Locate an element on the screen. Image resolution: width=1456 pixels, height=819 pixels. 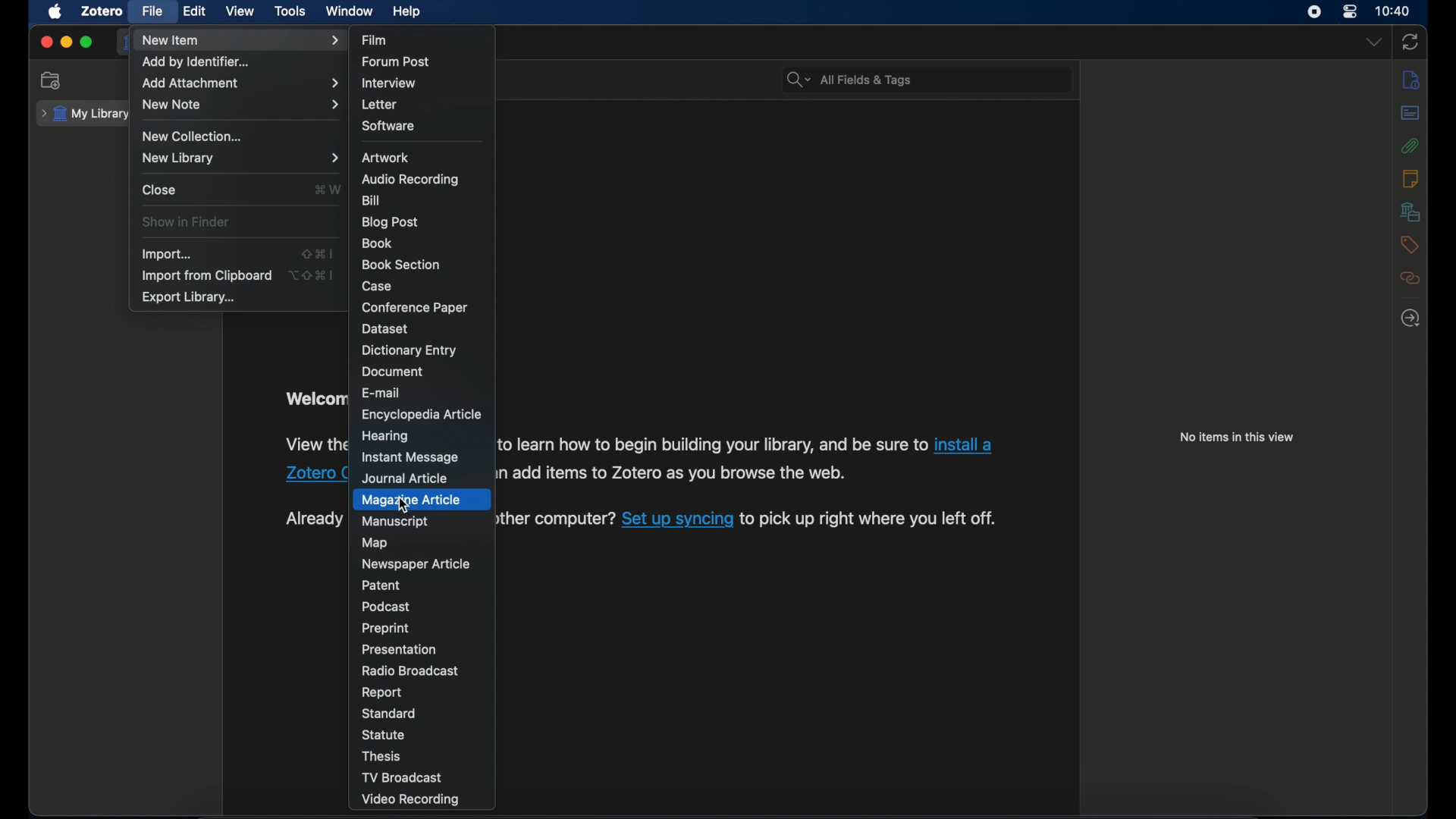
manuscript is located at coordinates (394, 522).